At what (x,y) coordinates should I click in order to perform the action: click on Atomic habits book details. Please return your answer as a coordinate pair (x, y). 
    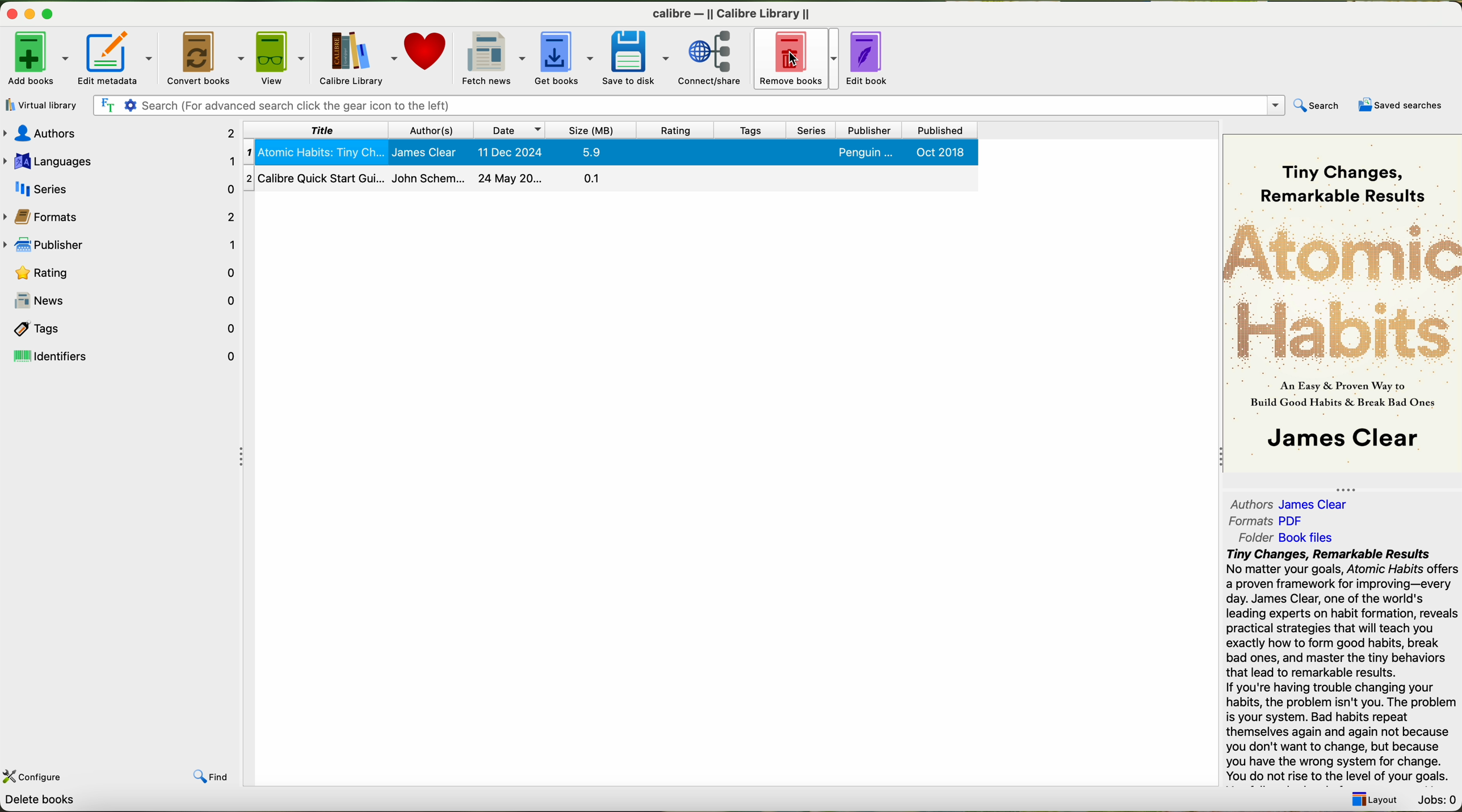
    Looking at the image, I should click on (610, 152).